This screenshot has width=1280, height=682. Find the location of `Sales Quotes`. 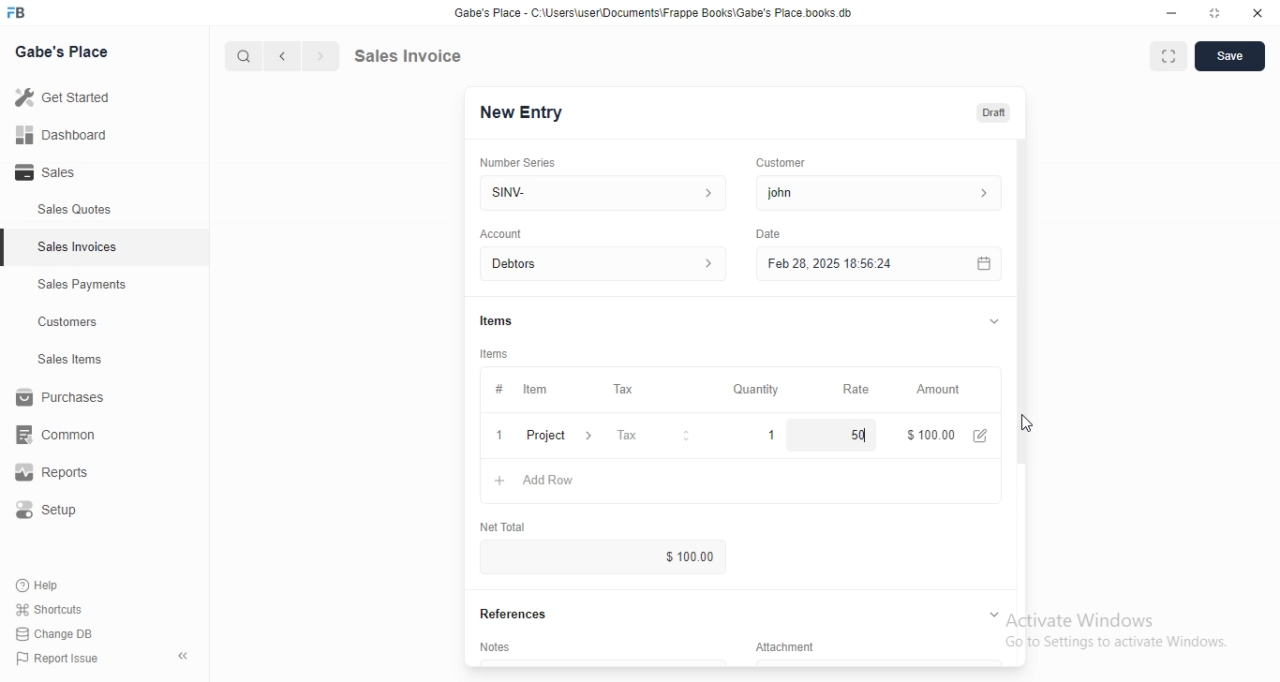

Sales Quotes is located at coordinates (64, 210).